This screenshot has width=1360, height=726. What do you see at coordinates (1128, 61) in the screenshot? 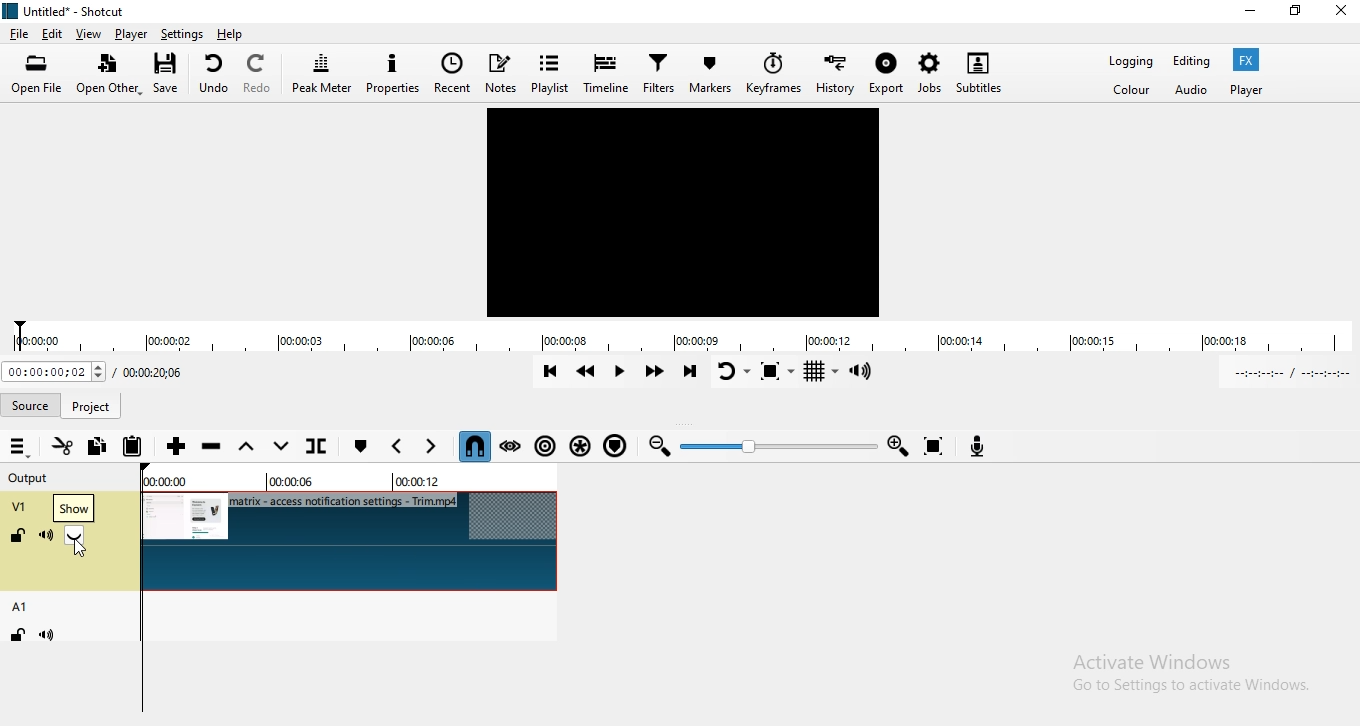
I see `Logging` at bounding box center [1128, 61].